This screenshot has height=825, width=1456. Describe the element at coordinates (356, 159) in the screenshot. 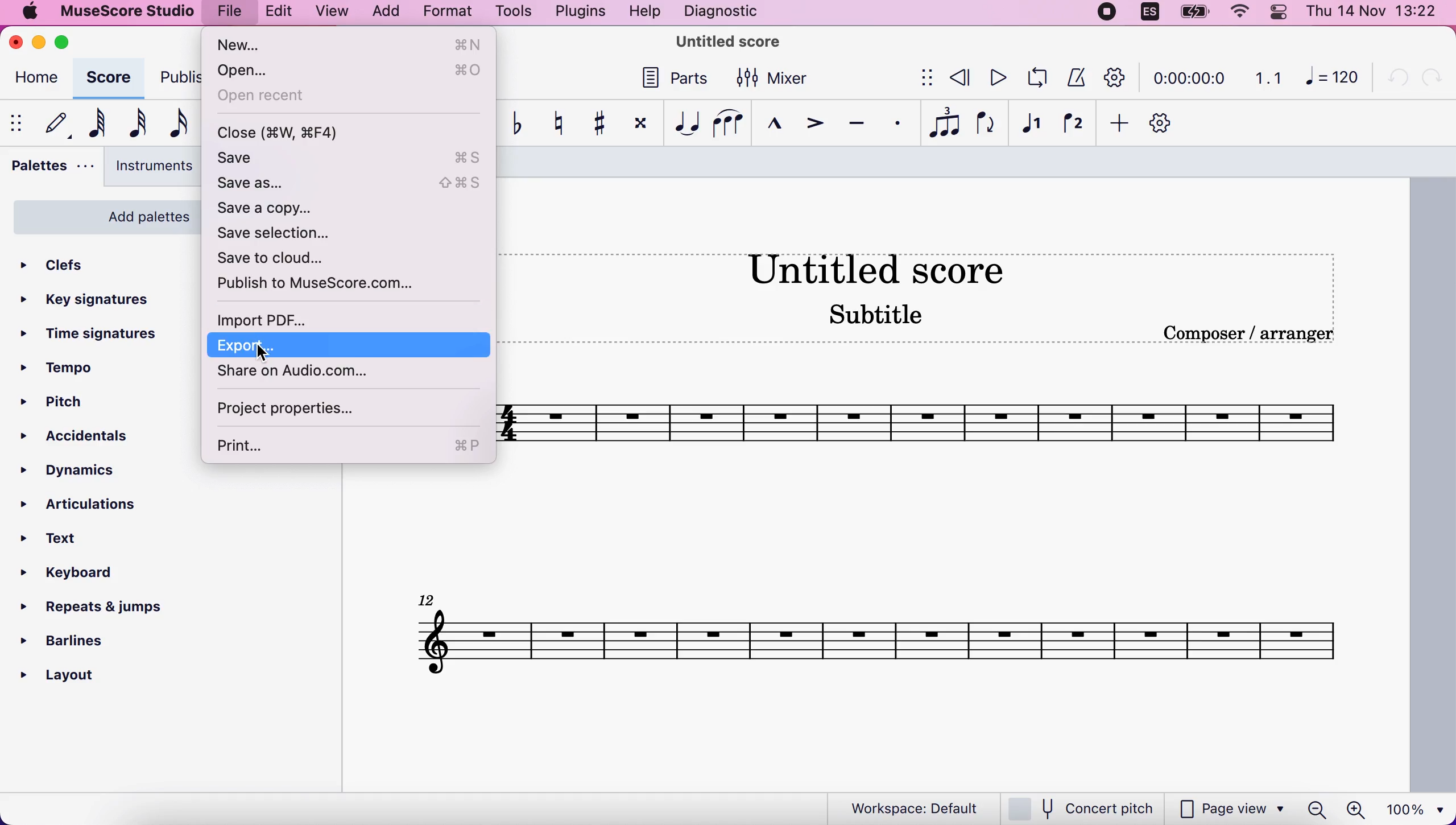

I see `save` at that location.